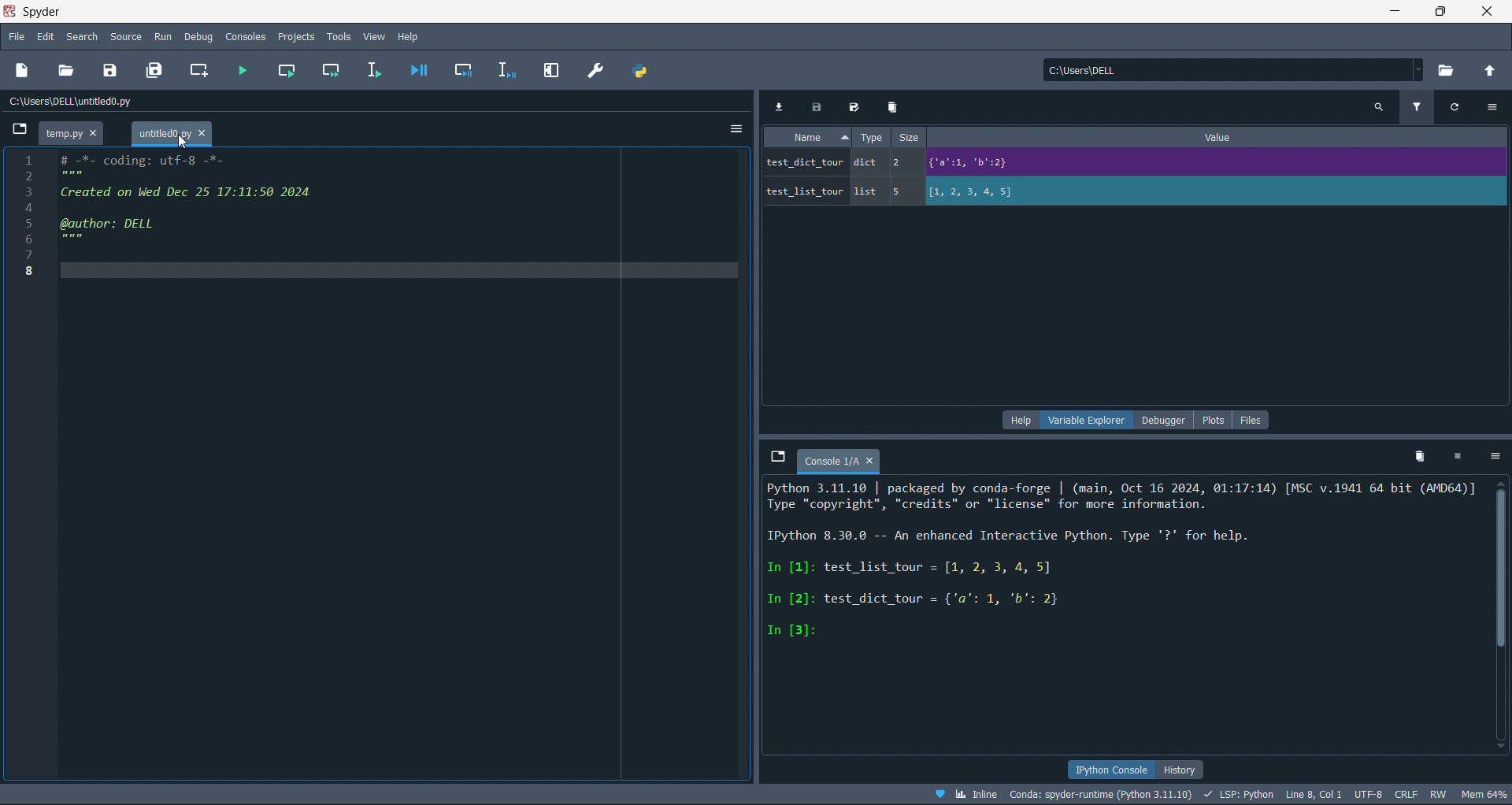 The width and height of the screenshot is (1512, 805). Describe the element at coordinates (1221, 135) in the screenshot. I see `value` at that location.